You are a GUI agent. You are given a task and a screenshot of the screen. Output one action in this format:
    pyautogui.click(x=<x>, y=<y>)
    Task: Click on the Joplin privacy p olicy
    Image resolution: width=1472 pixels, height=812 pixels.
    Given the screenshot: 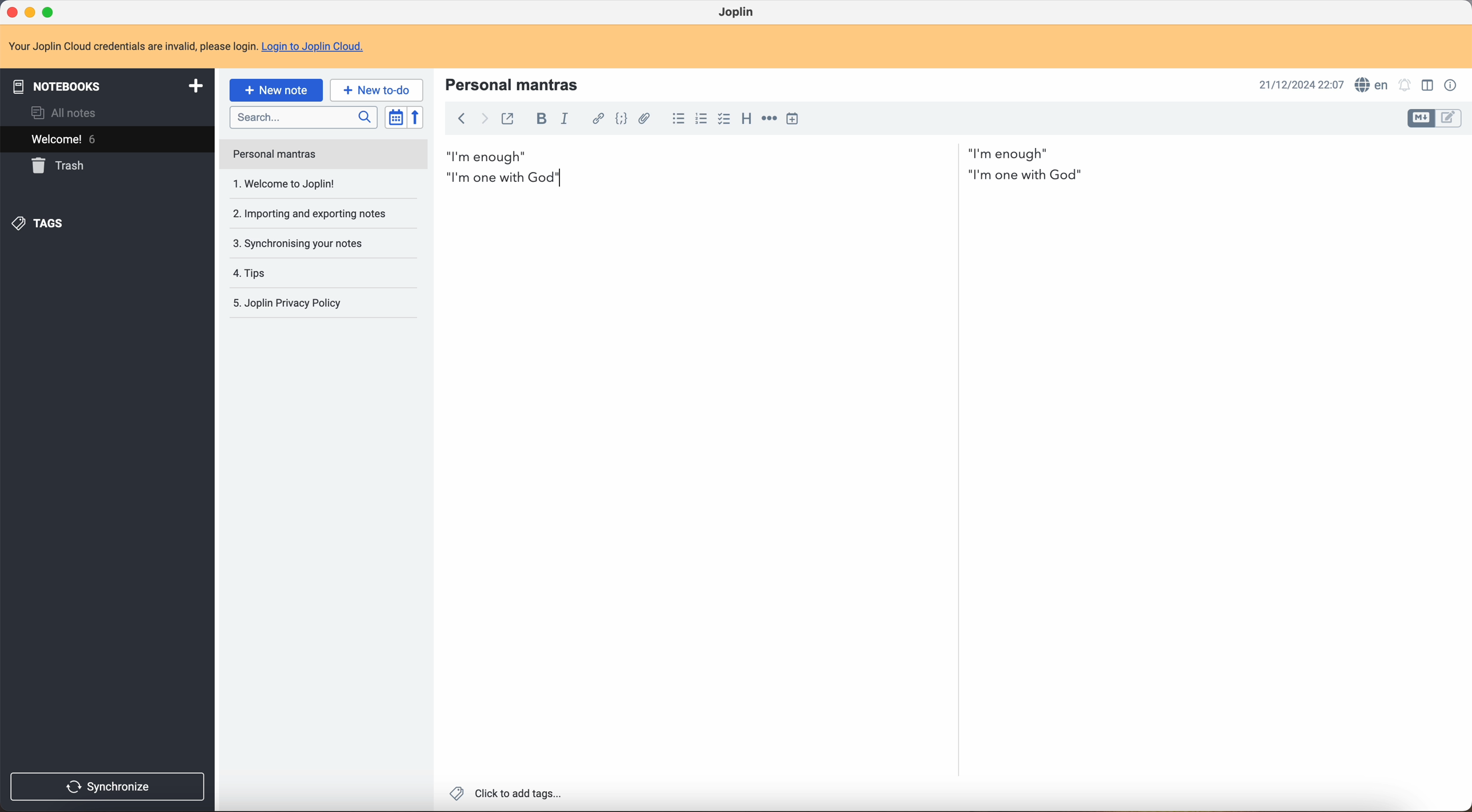 What is the action you would take?
    pyautogui.click(x=286, y=303)
    